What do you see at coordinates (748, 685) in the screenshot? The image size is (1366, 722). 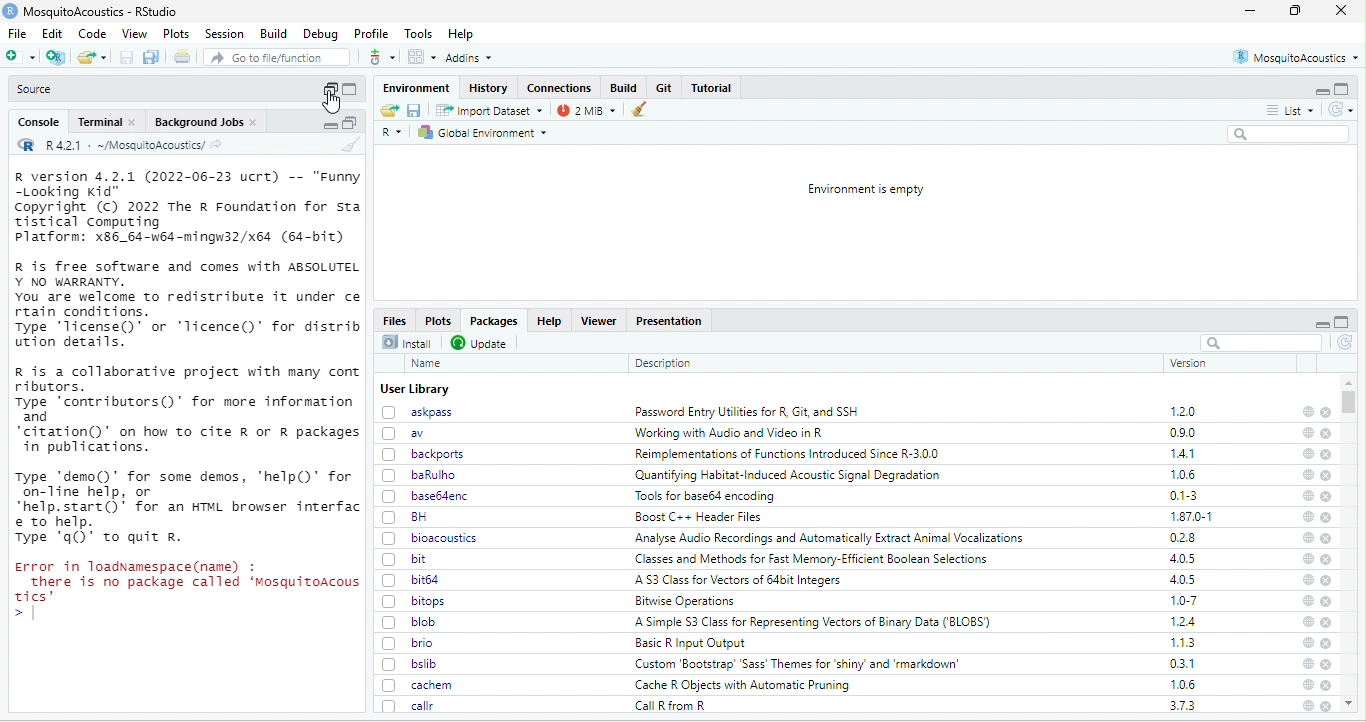 I see `Cache R Objects with Automatic Pruning` at bounding box center [748, 685].